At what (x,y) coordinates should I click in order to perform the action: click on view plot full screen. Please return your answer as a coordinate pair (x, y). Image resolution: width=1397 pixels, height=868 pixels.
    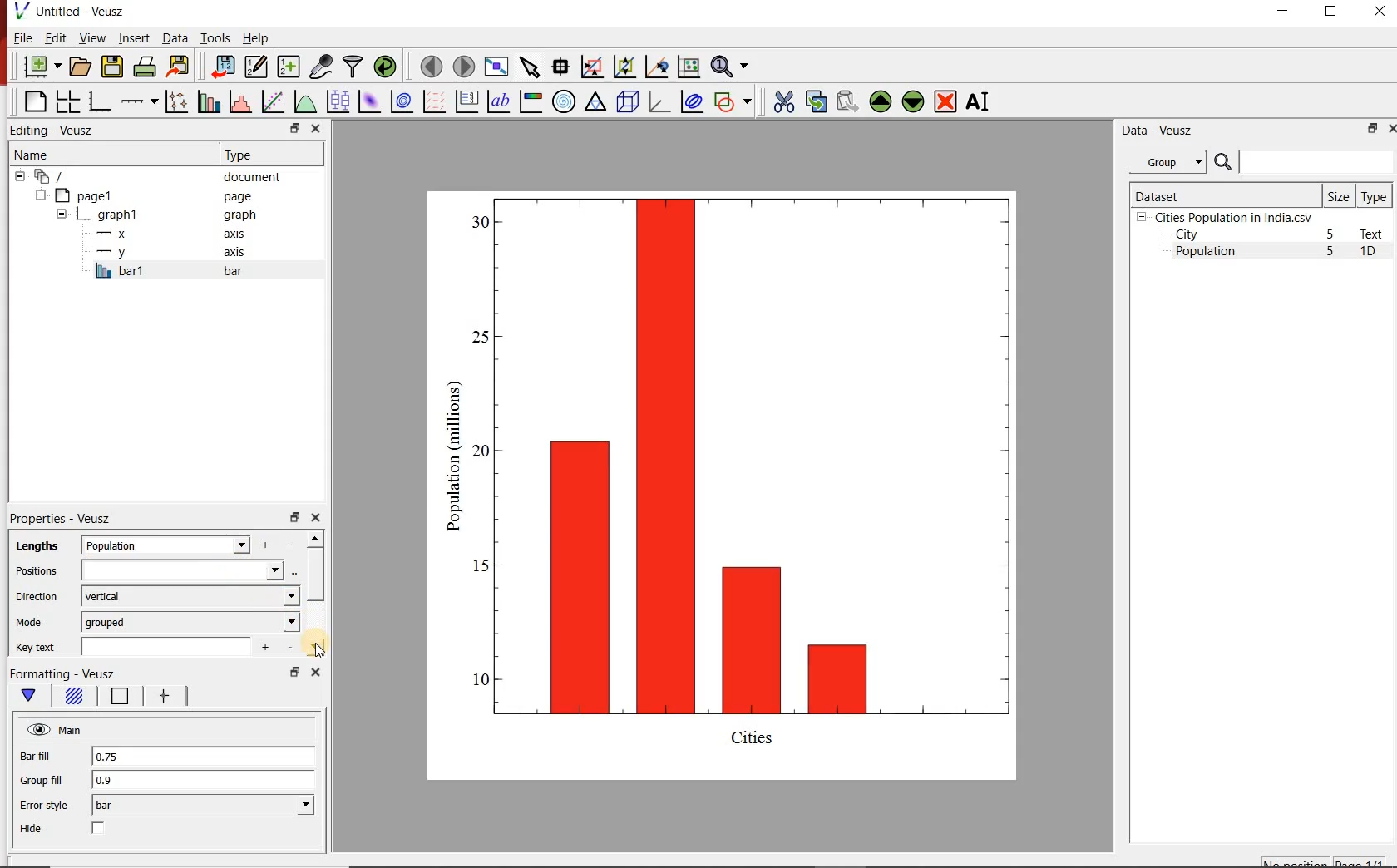
    Looking at the image, I should click on (496, 67).